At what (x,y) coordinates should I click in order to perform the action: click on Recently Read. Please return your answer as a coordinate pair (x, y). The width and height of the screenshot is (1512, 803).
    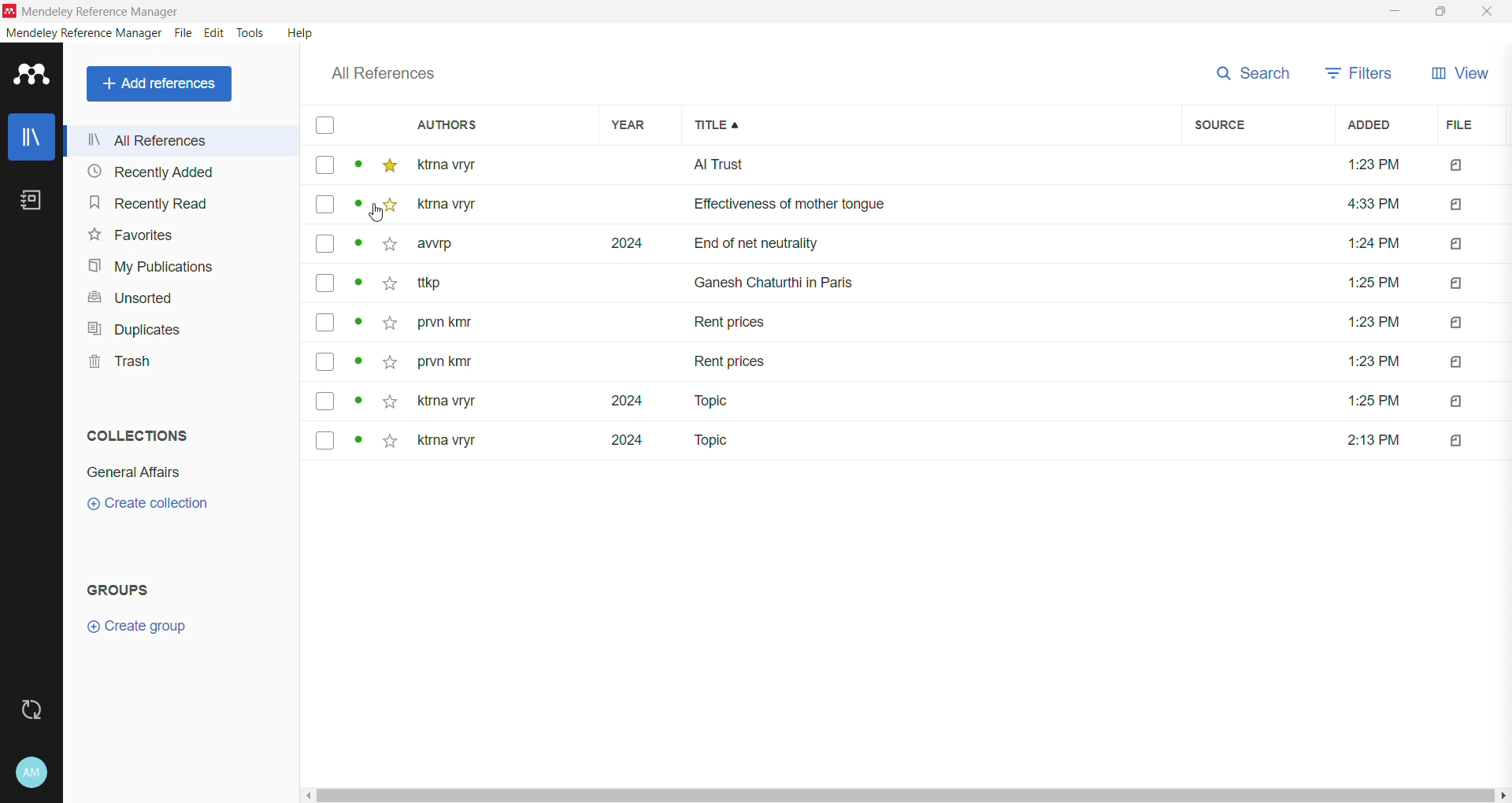
    Looking at the image, I should click on (166, 202).